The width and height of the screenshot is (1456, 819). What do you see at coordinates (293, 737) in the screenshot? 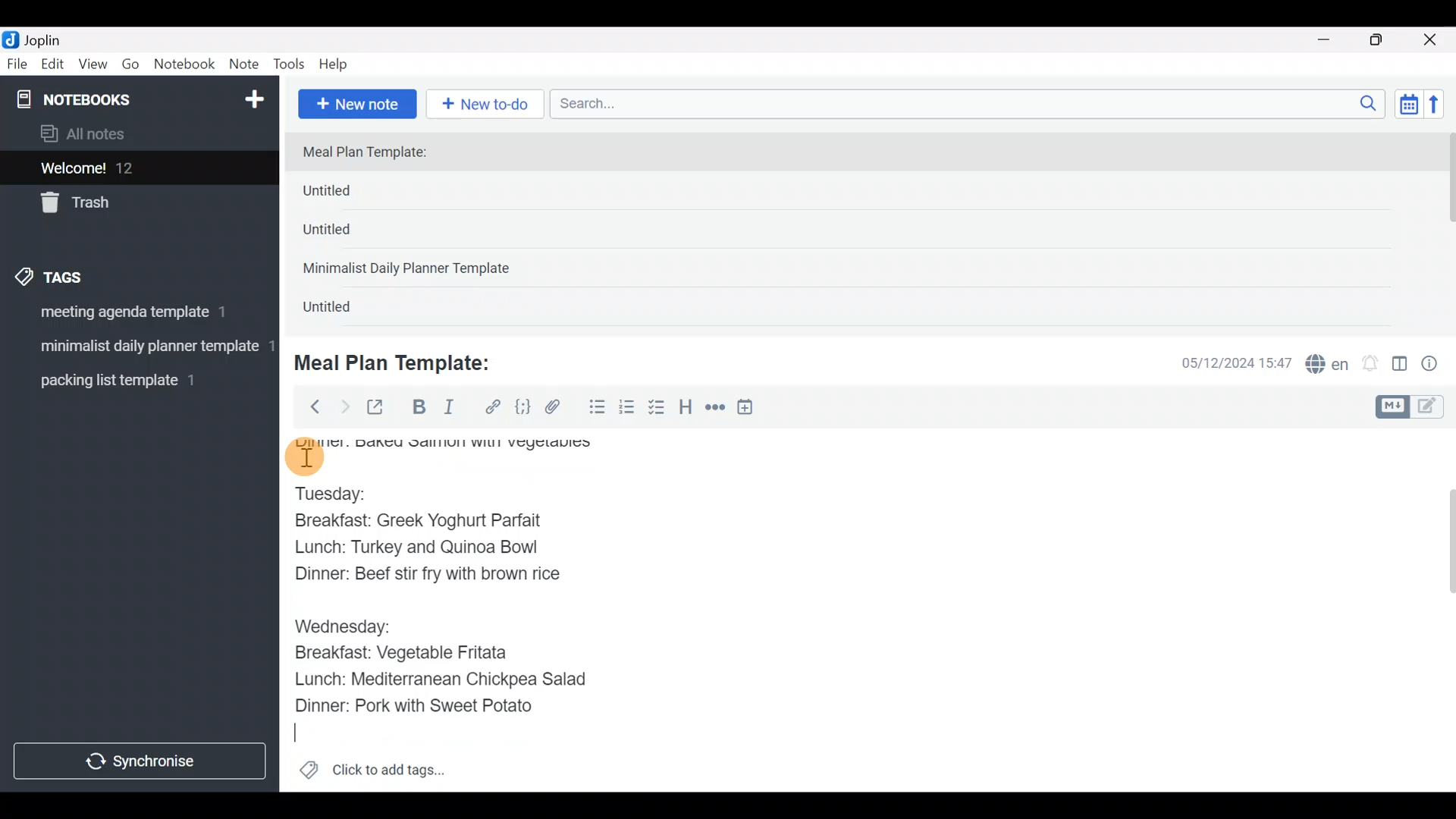
I see `text Cursor` at bounding box center [293, 737].